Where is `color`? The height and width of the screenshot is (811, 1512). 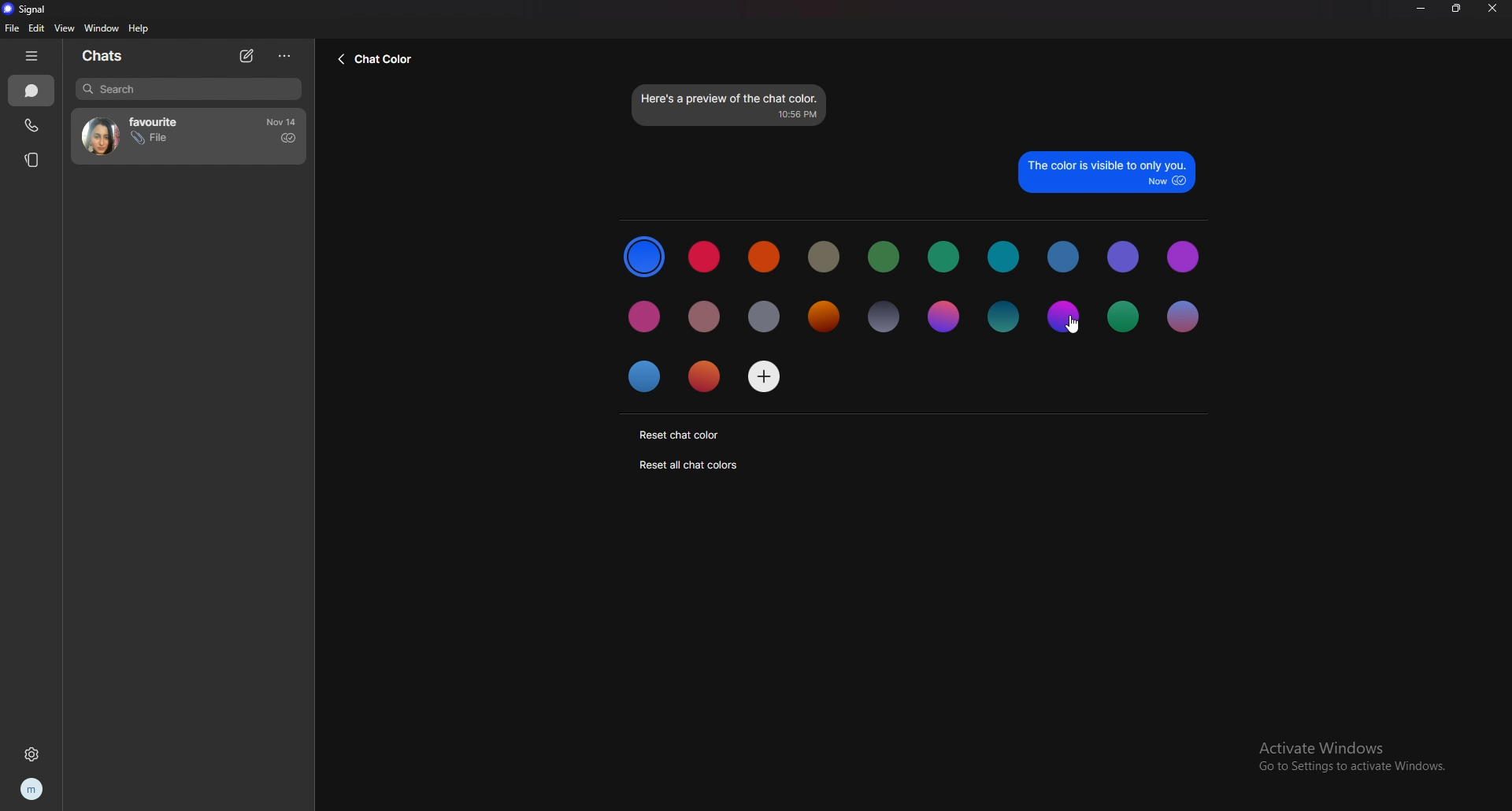
color is located at coordinates (821, 319).